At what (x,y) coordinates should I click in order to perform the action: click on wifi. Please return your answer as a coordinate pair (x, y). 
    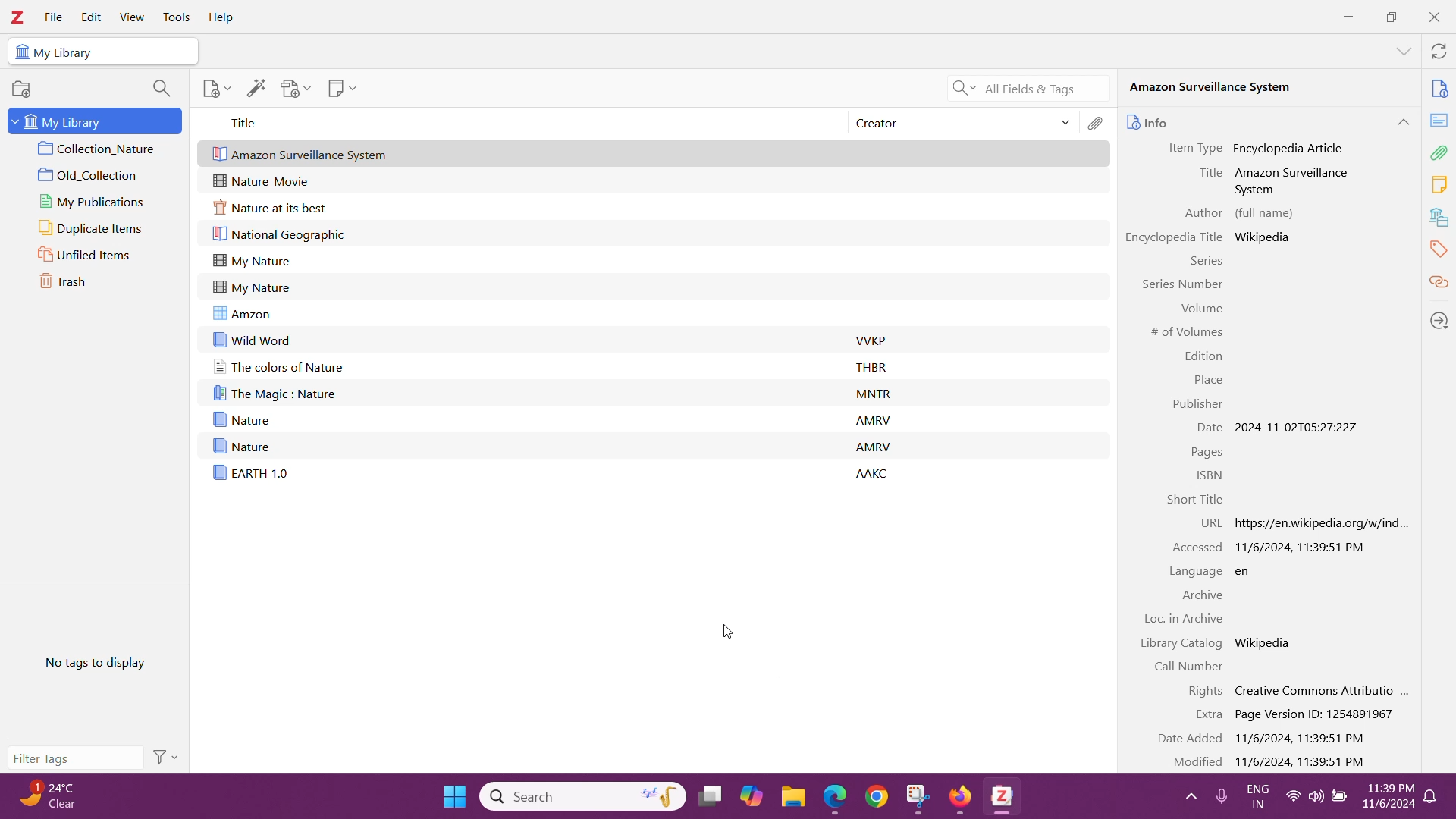
    Looking at the image, I should click on (1294, 799).